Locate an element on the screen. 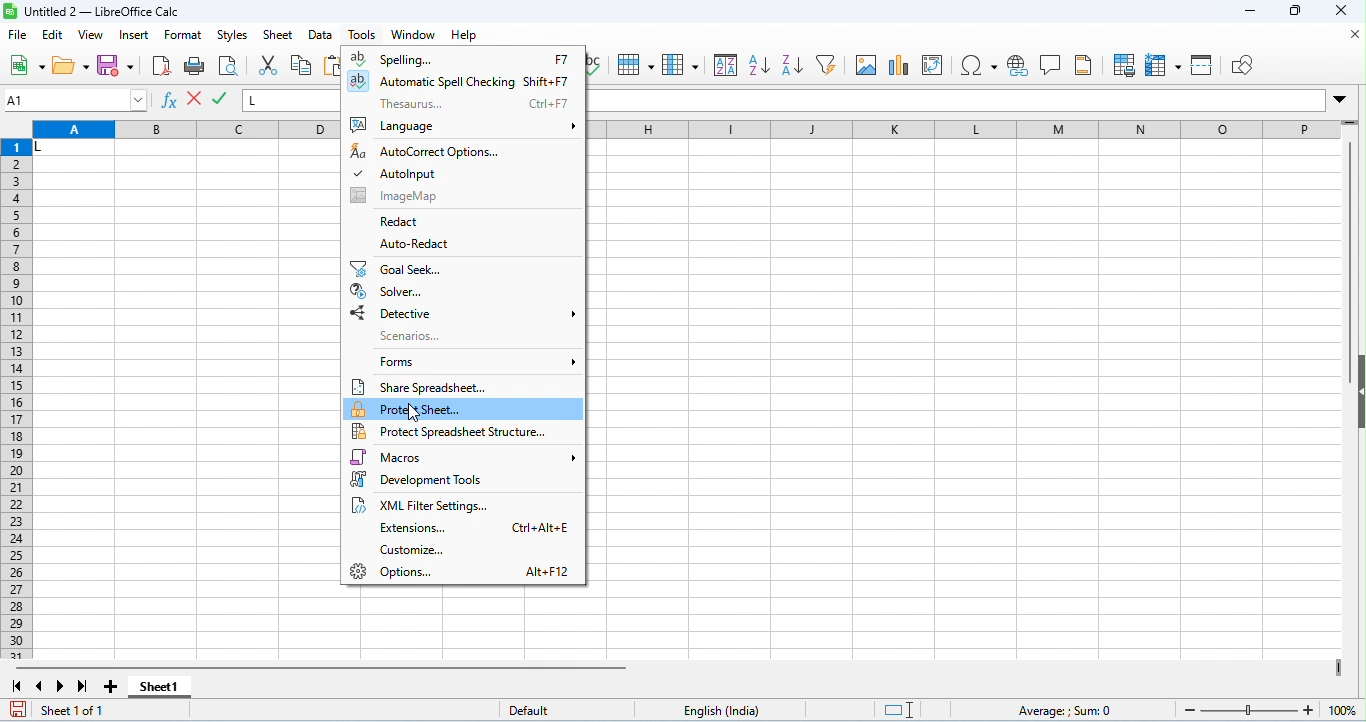  cell with data is located at coordinates (73, 148).